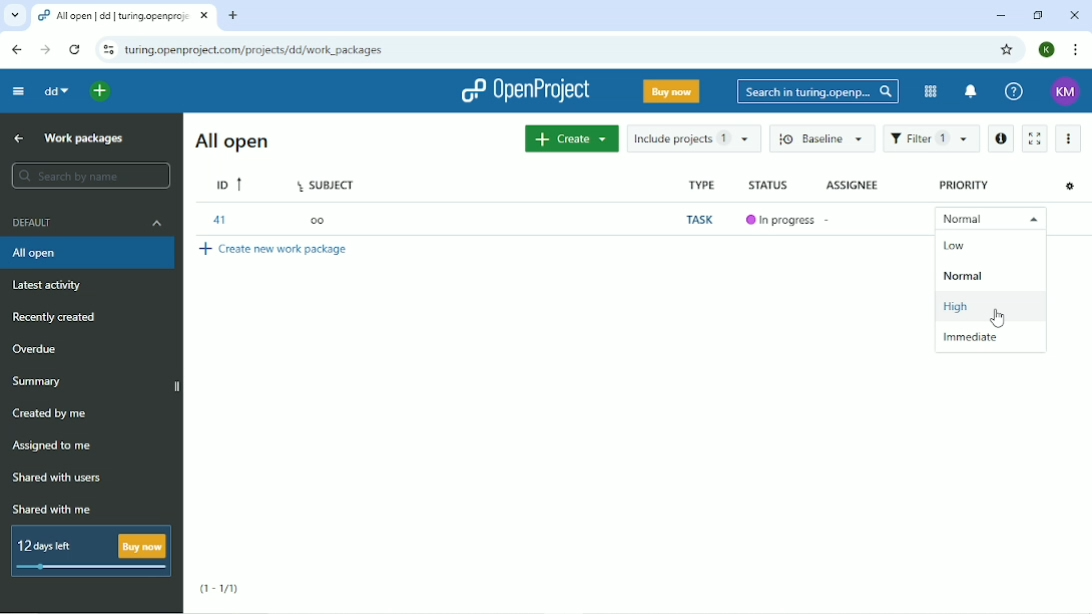 The image size is (1092, 614). Describe the element at coordinates (234, 17) in the screenshot. I see `New tab` at that location.